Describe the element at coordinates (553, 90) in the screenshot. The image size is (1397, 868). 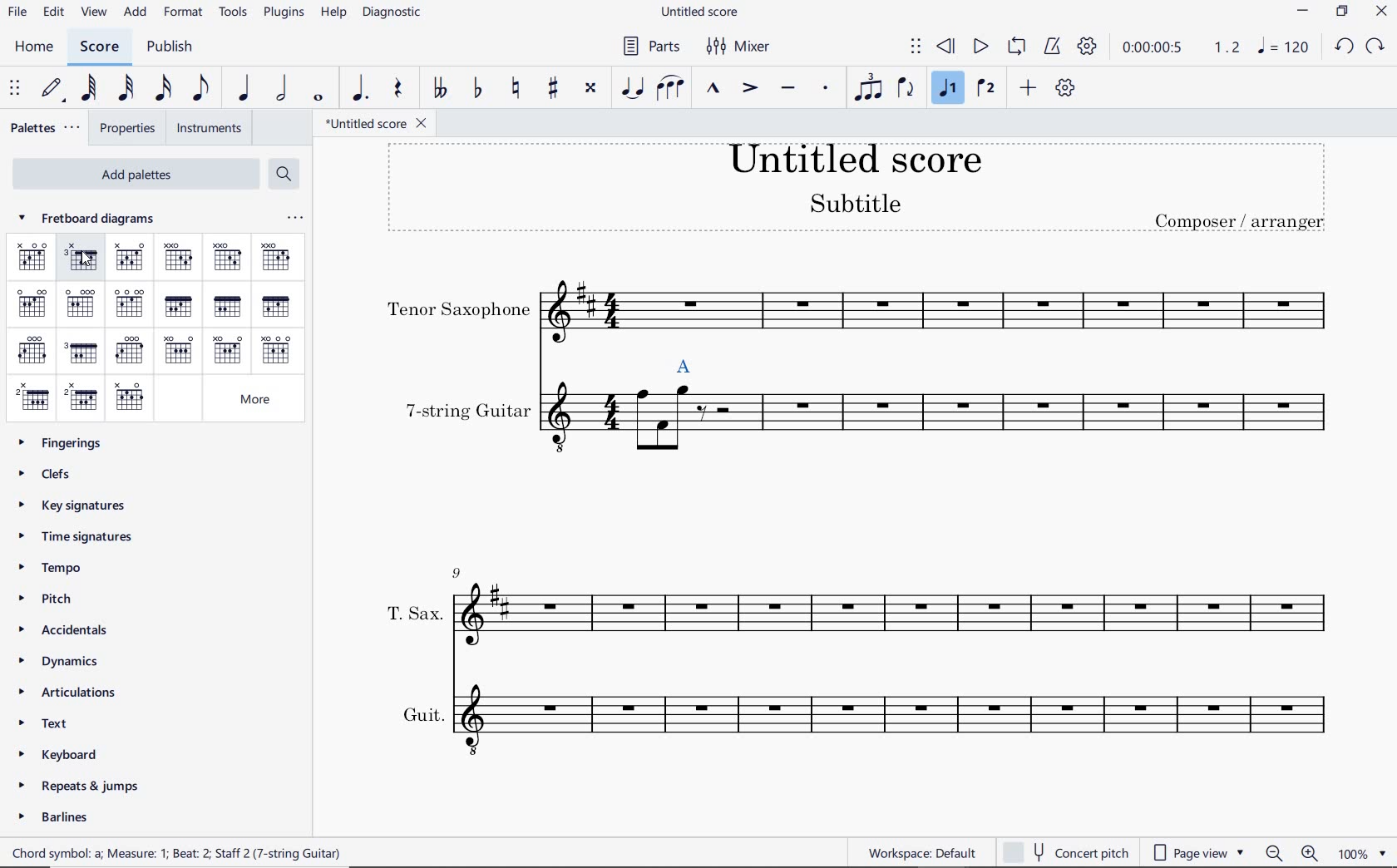
I see `TOGGLE SHARP` at that location.